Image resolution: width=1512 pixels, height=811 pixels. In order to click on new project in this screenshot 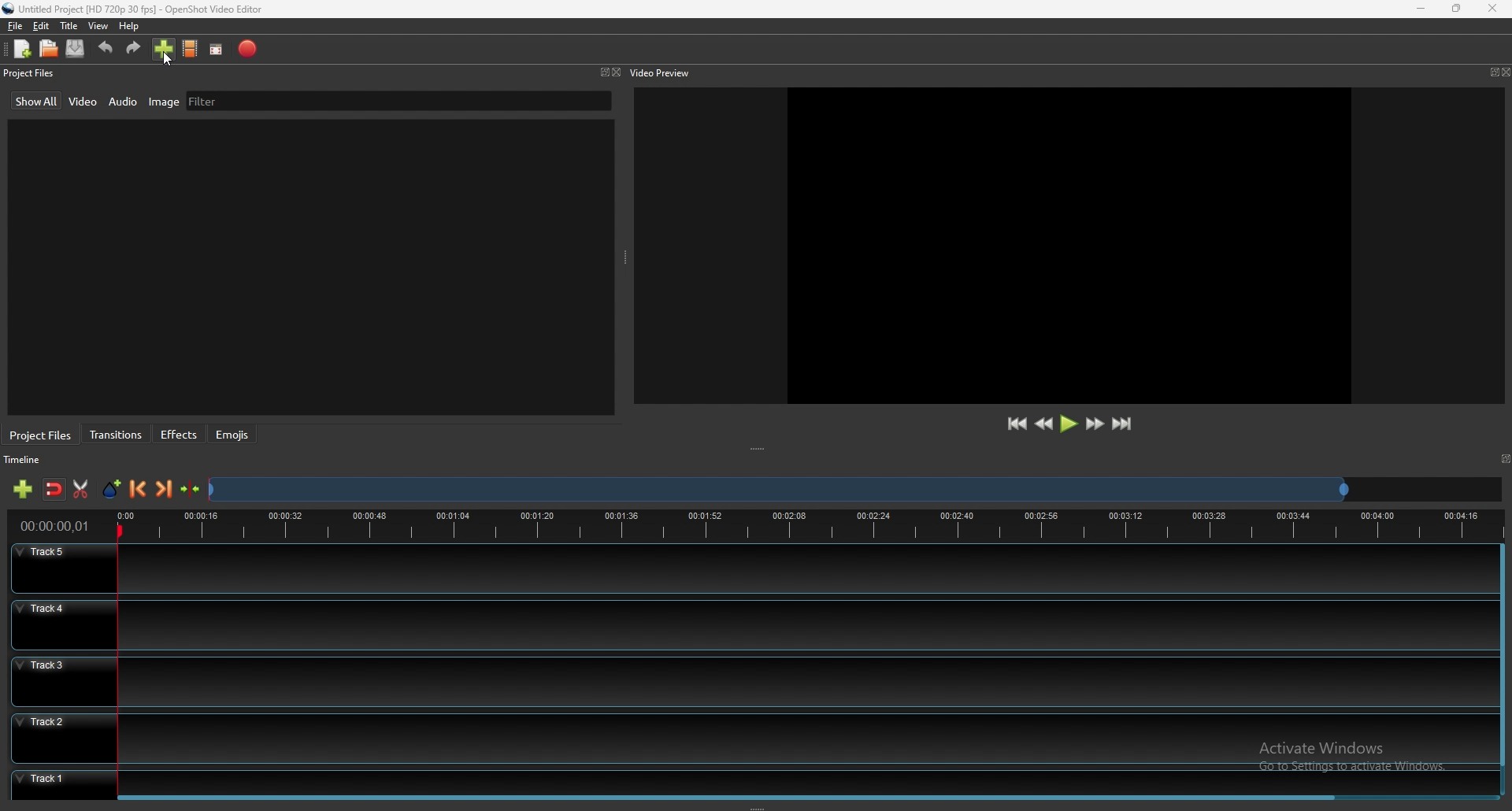, I will do `click(23, 49)`.